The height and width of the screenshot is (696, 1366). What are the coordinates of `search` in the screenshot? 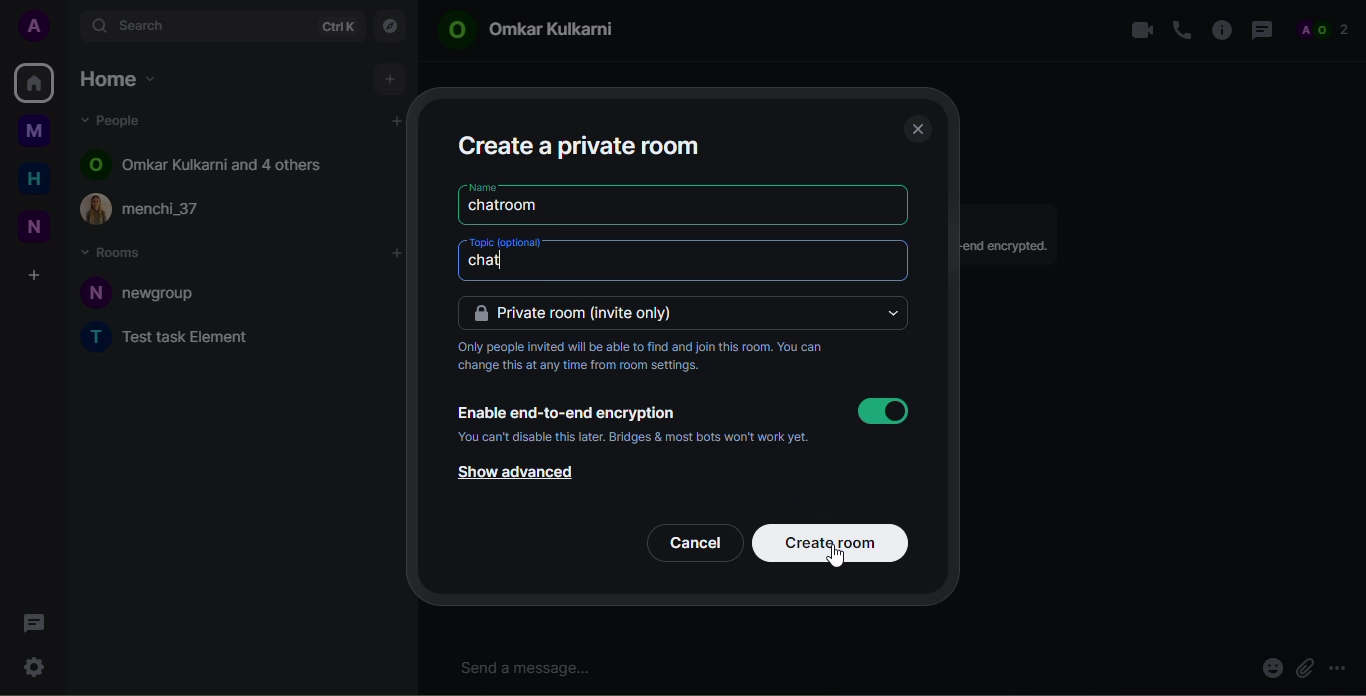 It's located at (146, 24).